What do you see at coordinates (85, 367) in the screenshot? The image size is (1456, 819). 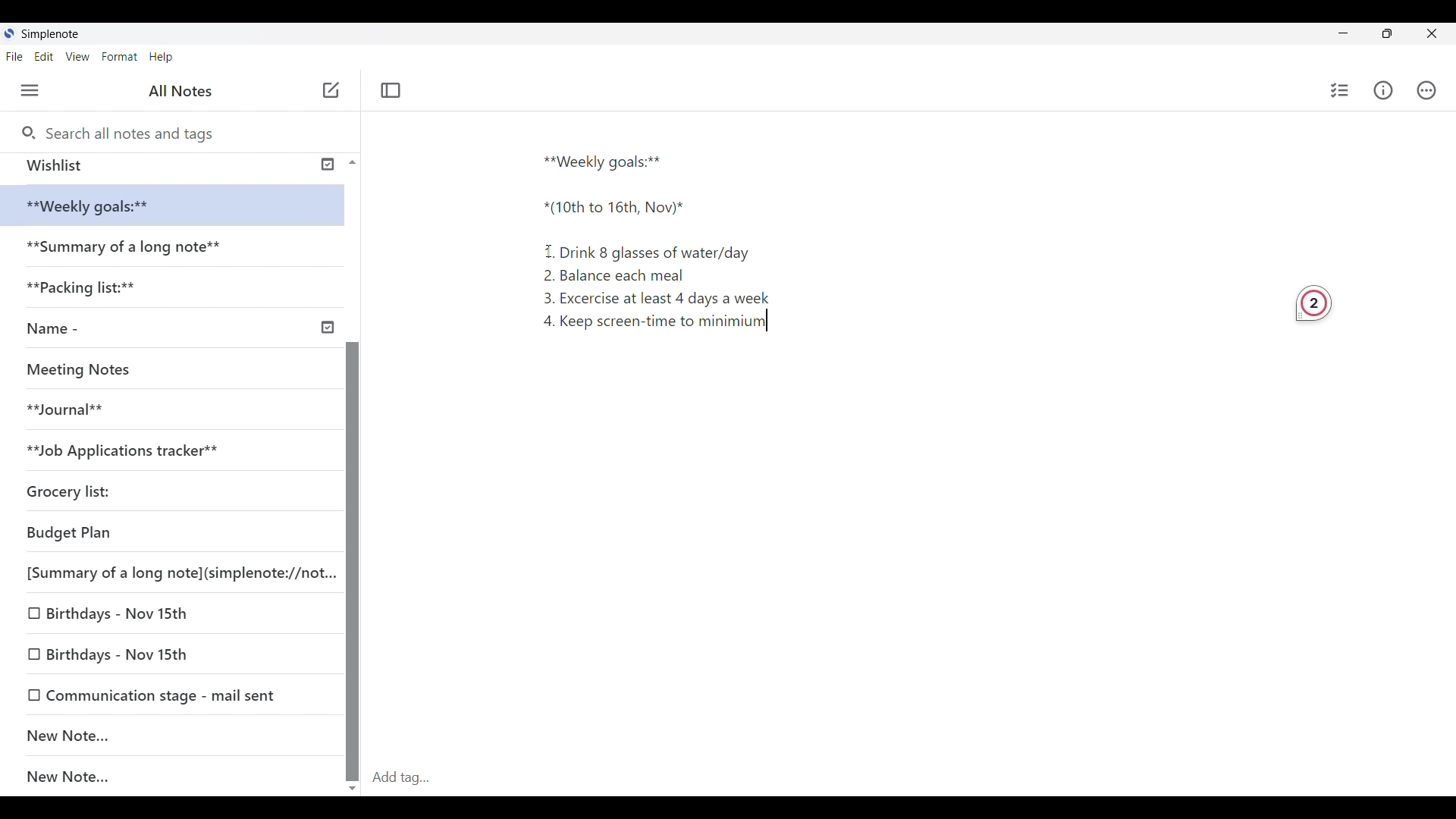 I see `Meeting Notes` at bounding box center [85, 367].